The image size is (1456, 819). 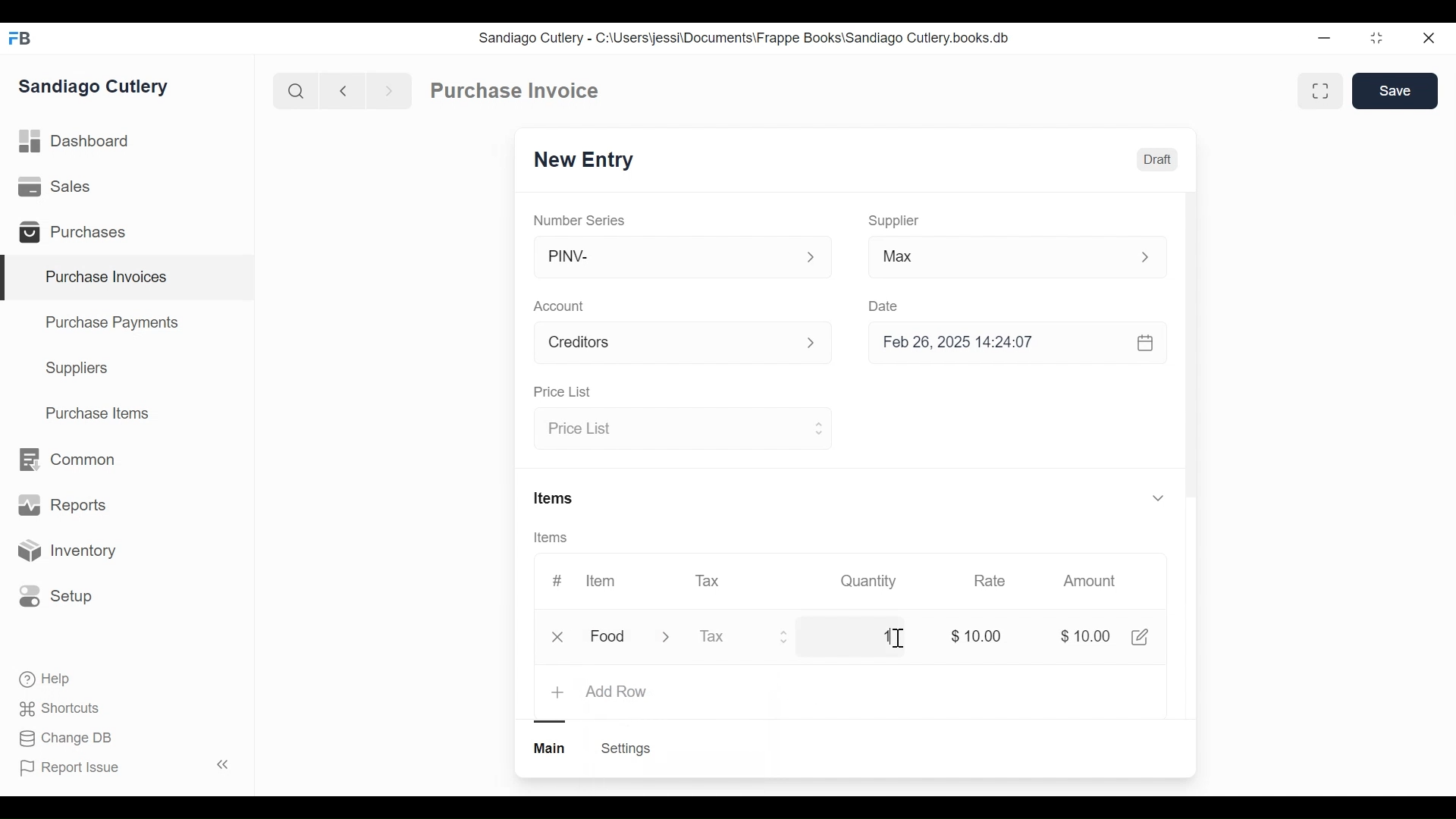 I want to click on Tax, so click(x=710, y=579).